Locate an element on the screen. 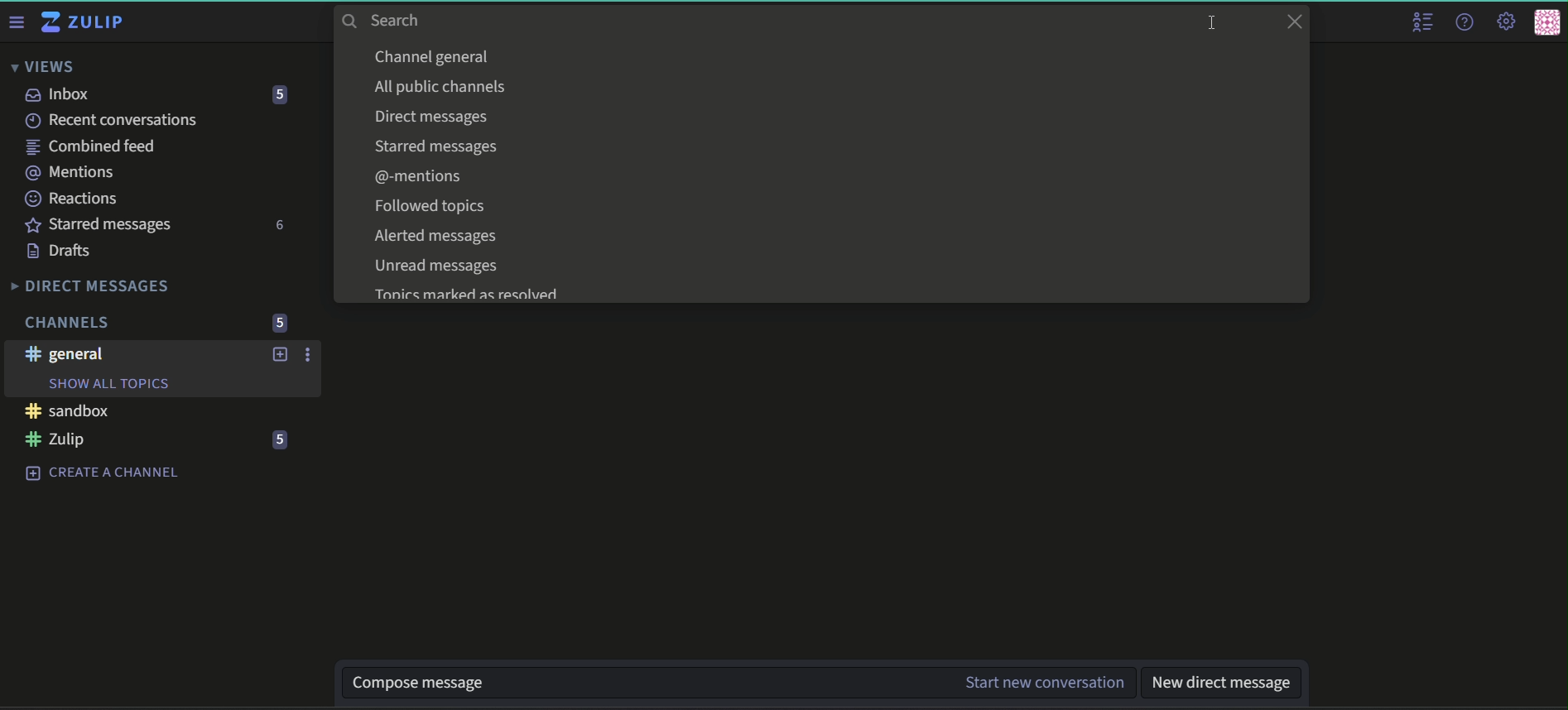 The width and height of the screenshot is (1568, 710). number is located at coordinates (281, 441).